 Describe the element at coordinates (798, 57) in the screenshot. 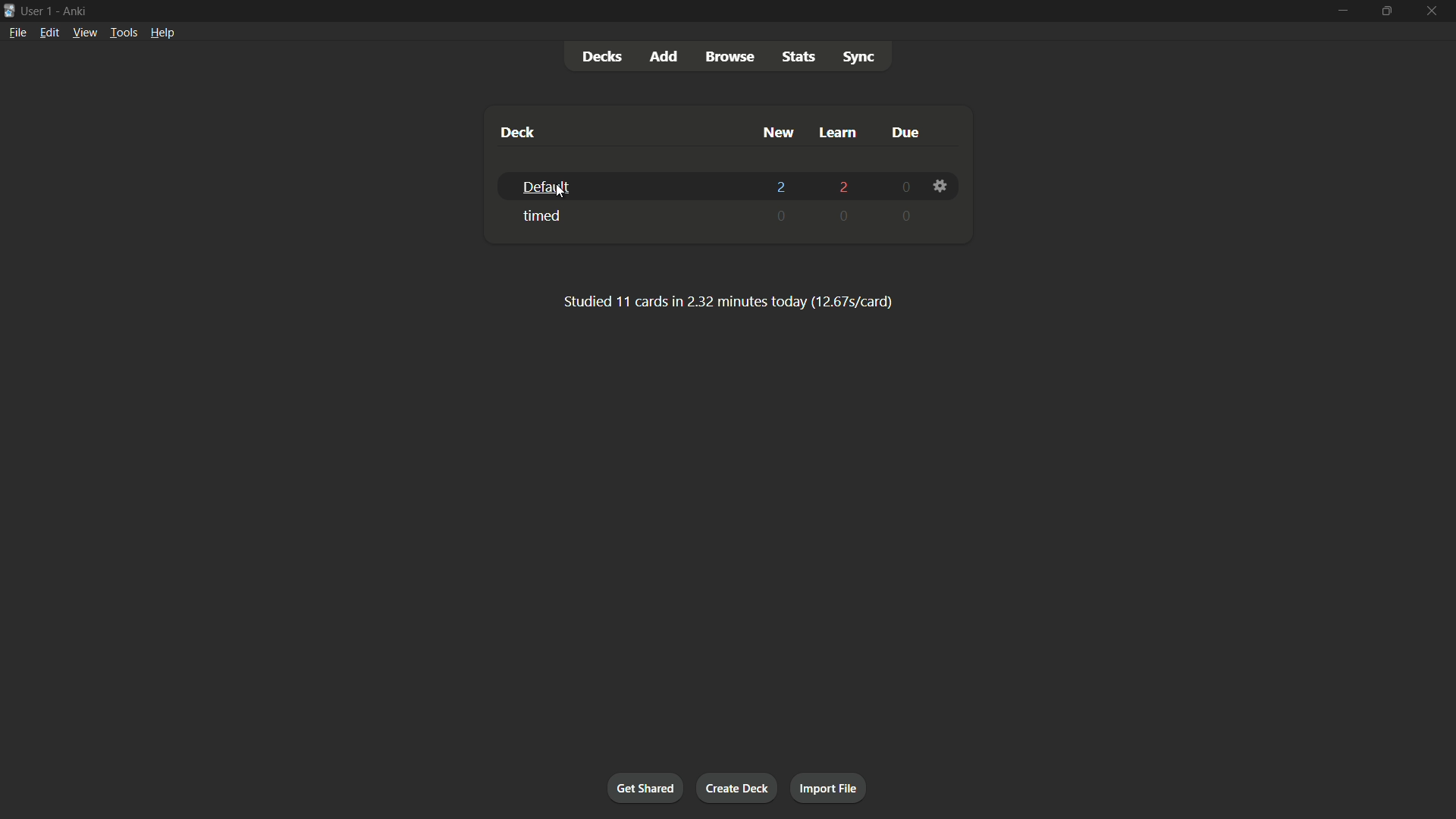

I see `stats` at that location.